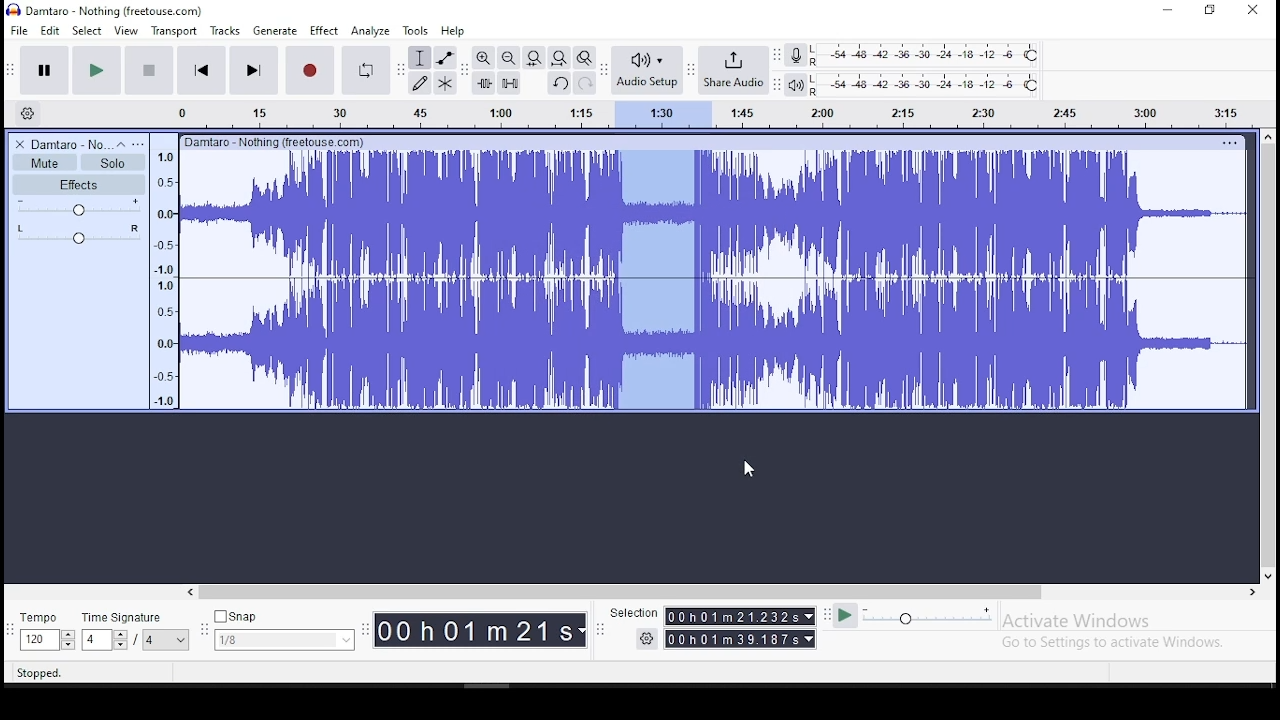 Image resolution: width=1280 pixels, height=720 pixels. I want to click on , so click(203, 629).